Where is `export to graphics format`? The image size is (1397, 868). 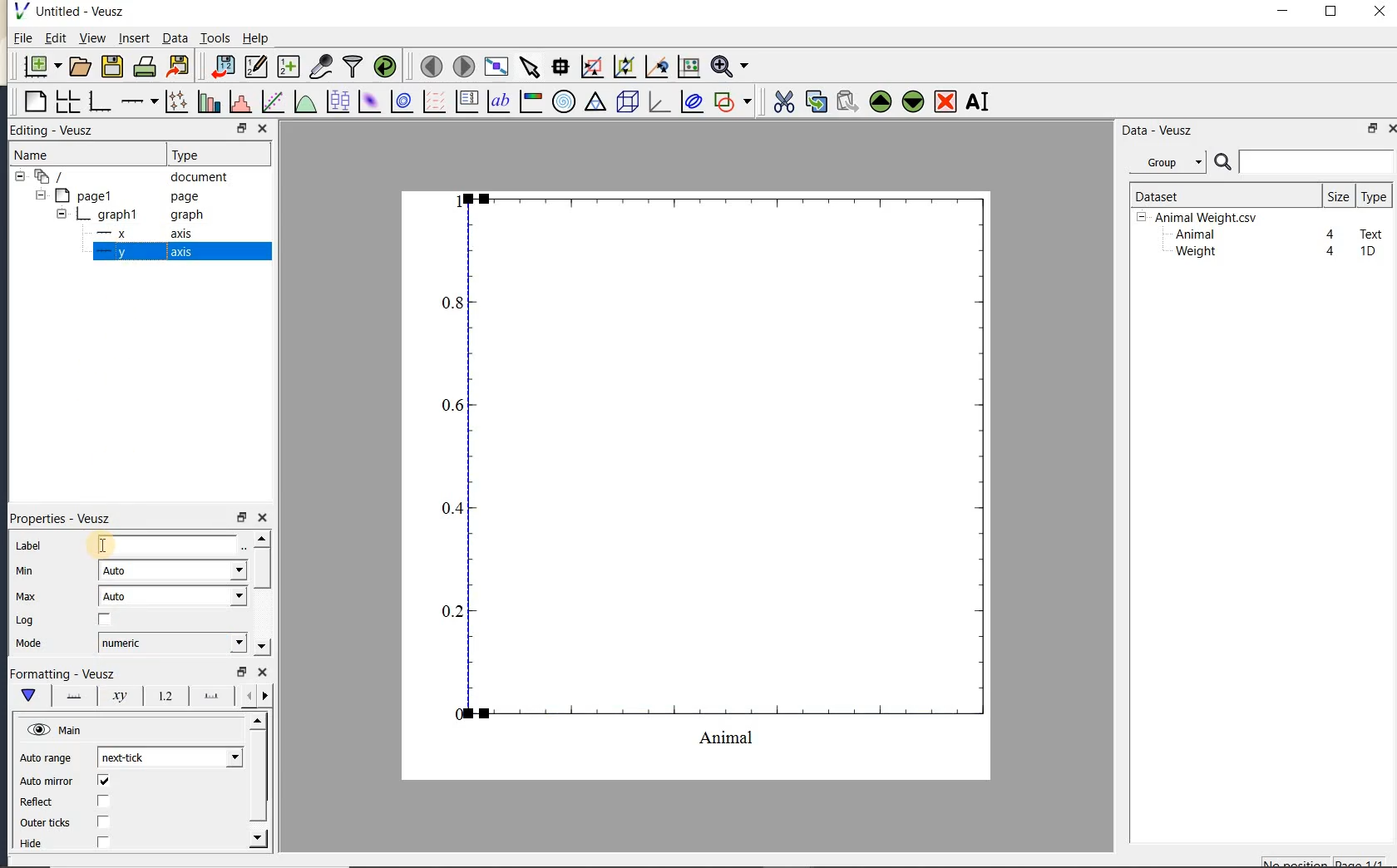 export to graphics format is located at coordinates (179, 65).